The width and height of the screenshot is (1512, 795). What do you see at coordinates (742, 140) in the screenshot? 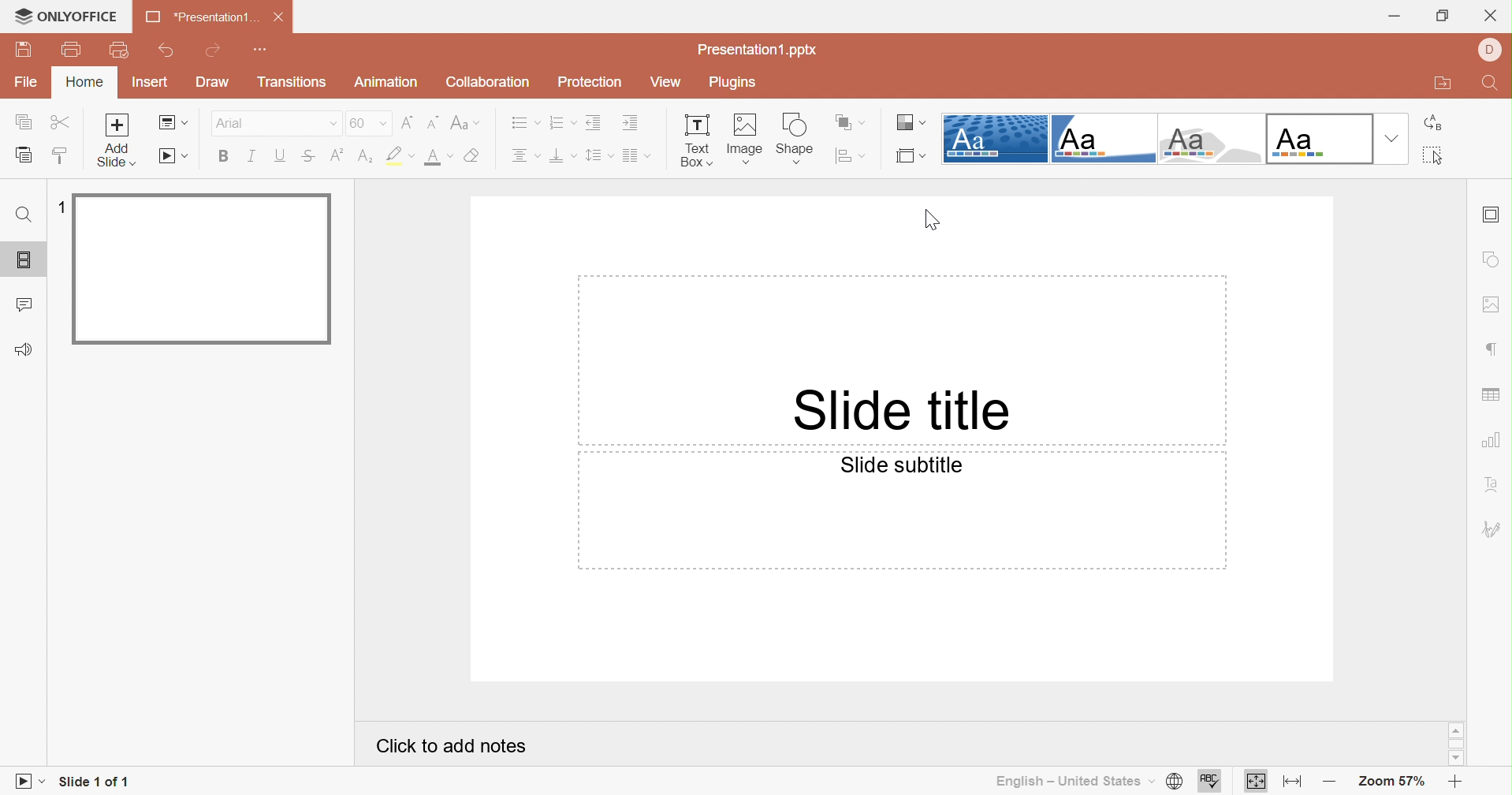
I see `Image` at bounding box center [742, 140].